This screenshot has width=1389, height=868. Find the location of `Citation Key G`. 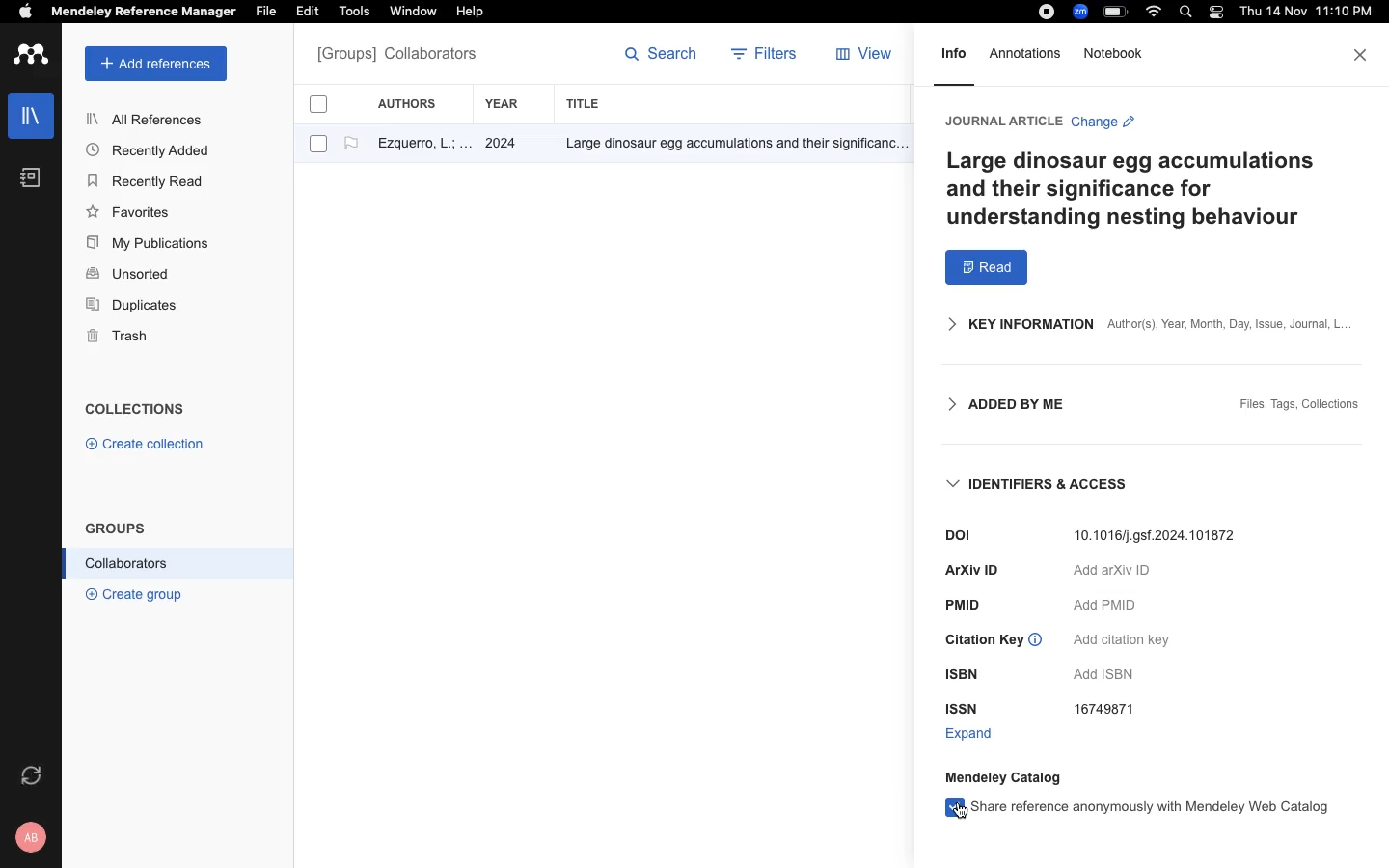

Citation Key G is located at coordinates (994, 642).